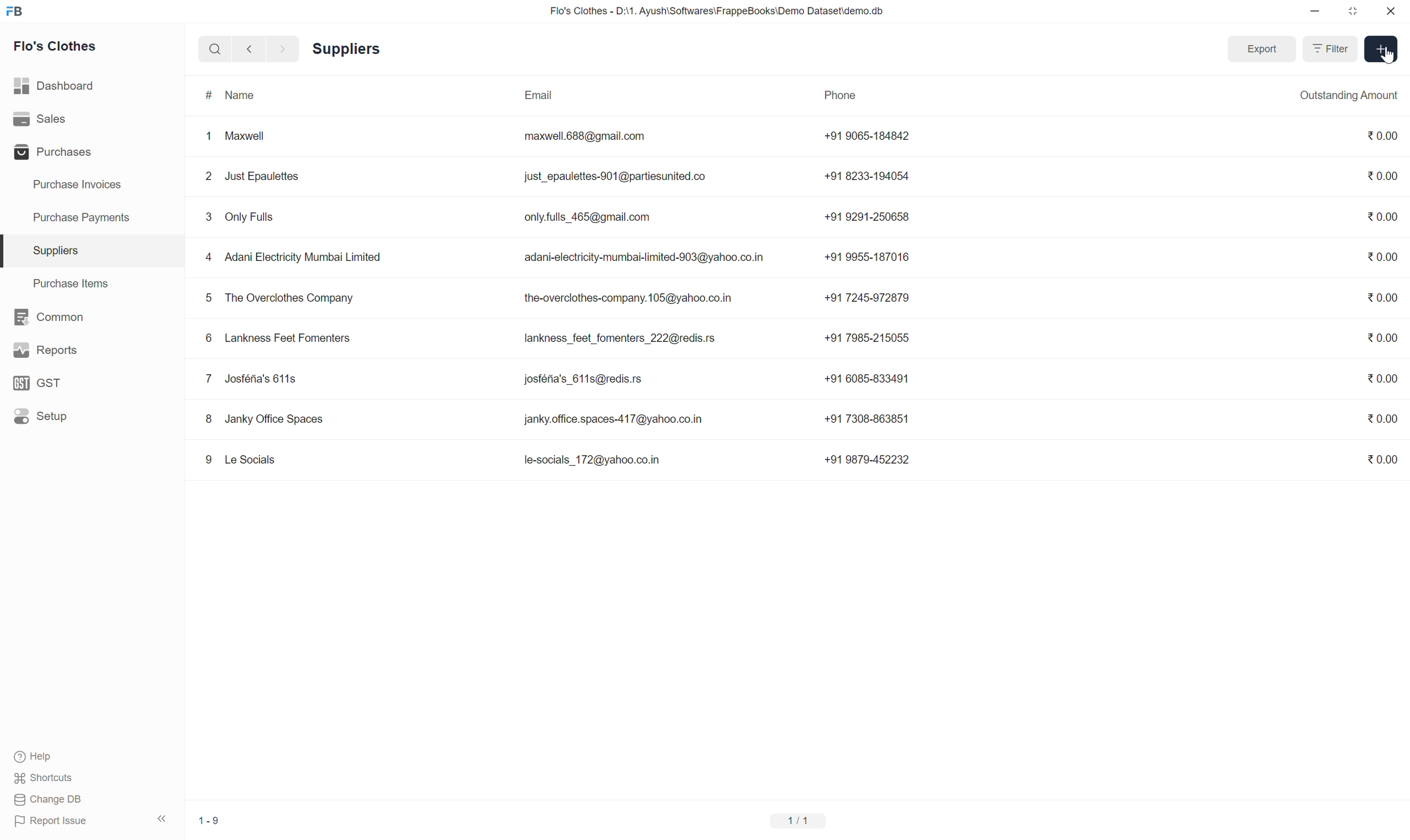 Image resolution: width=1410 pixels, height=840 pixels. Describe the element at coordinates (1262, 49) in the screenshot. I see `Export` at that location.